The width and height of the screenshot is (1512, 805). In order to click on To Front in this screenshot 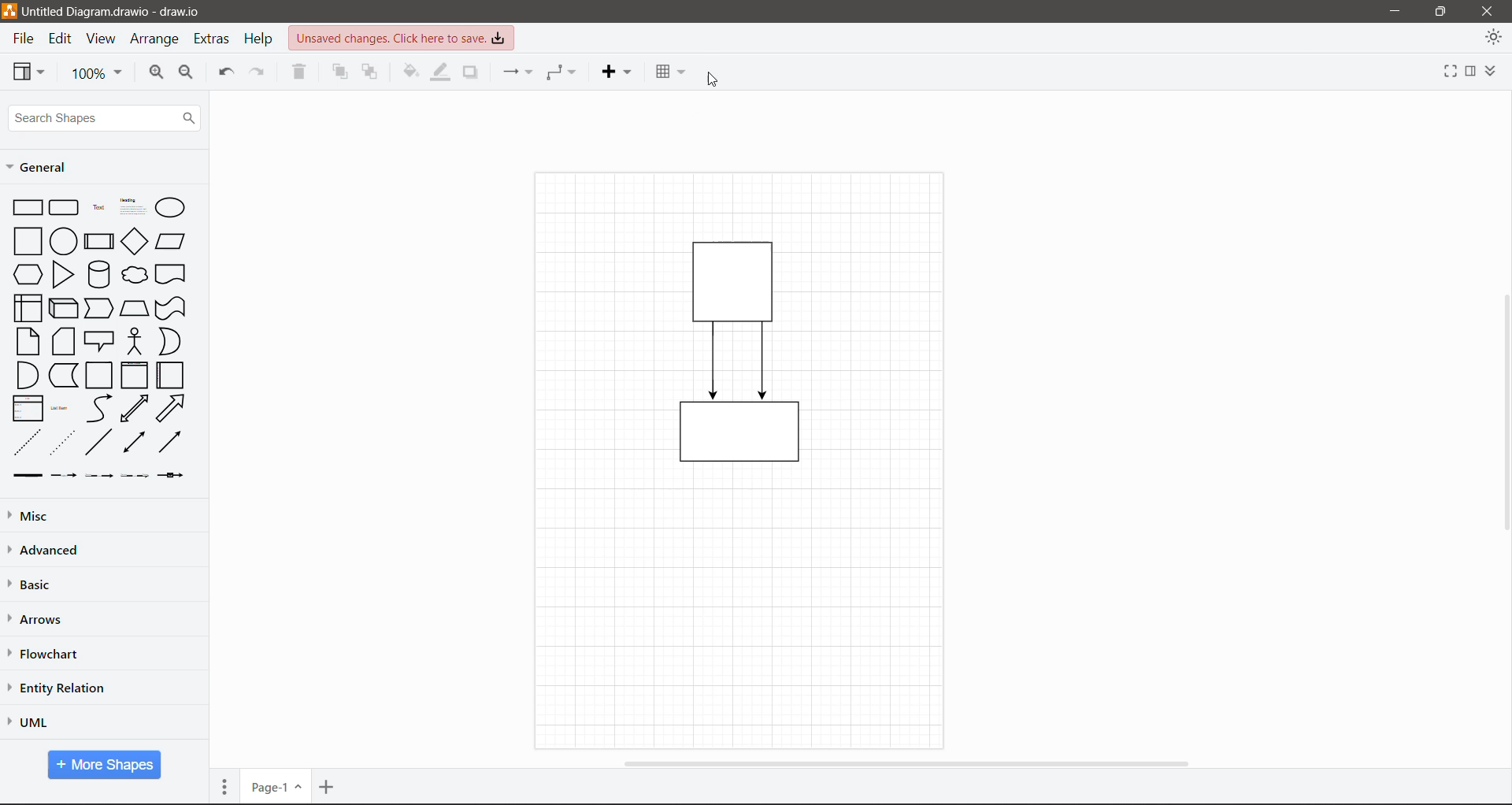, I will do `click(338, 72)`.